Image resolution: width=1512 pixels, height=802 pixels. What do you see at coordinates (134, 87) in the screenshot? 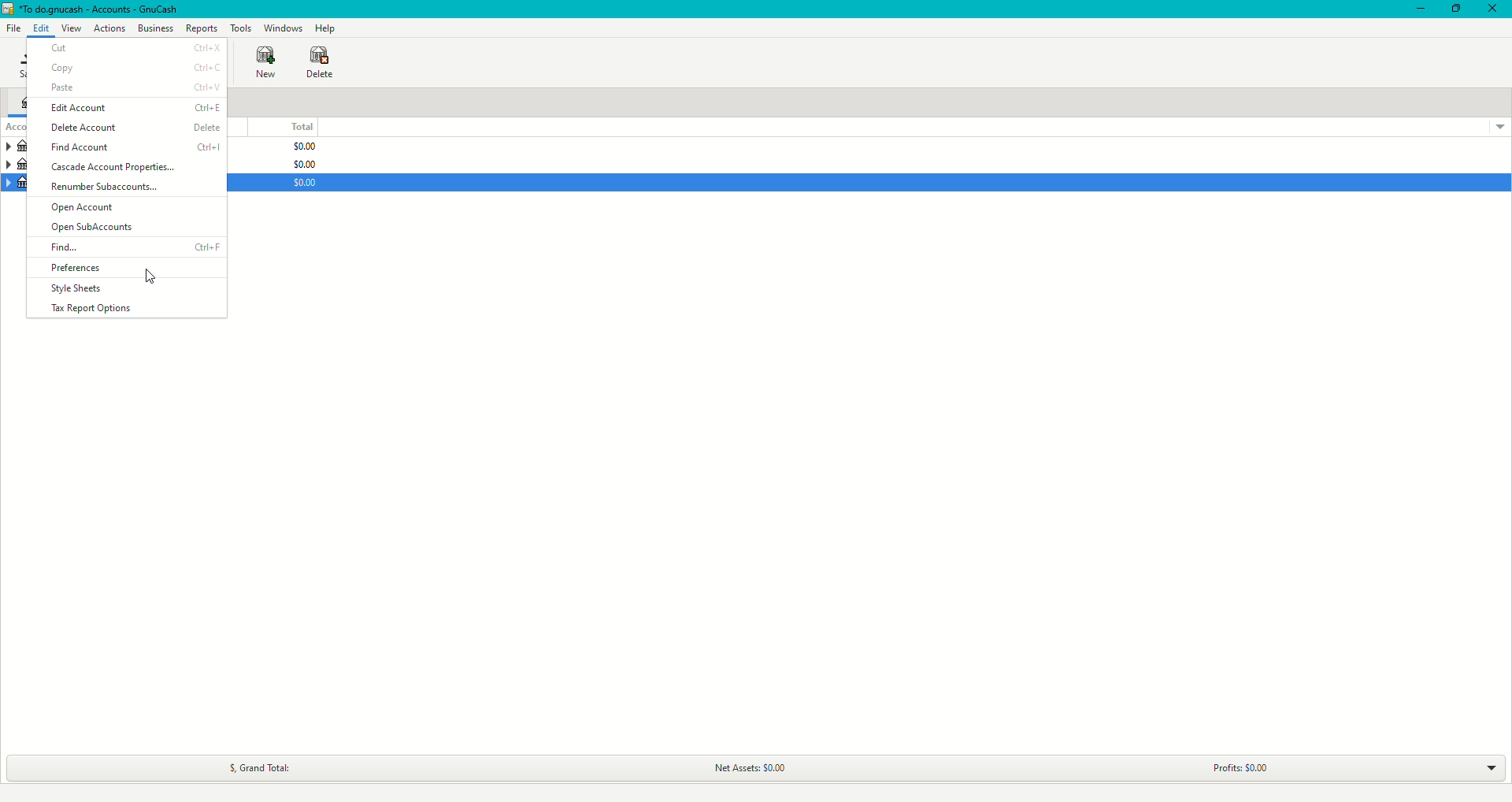
I see `Paste` at bounding box center [134, 87].